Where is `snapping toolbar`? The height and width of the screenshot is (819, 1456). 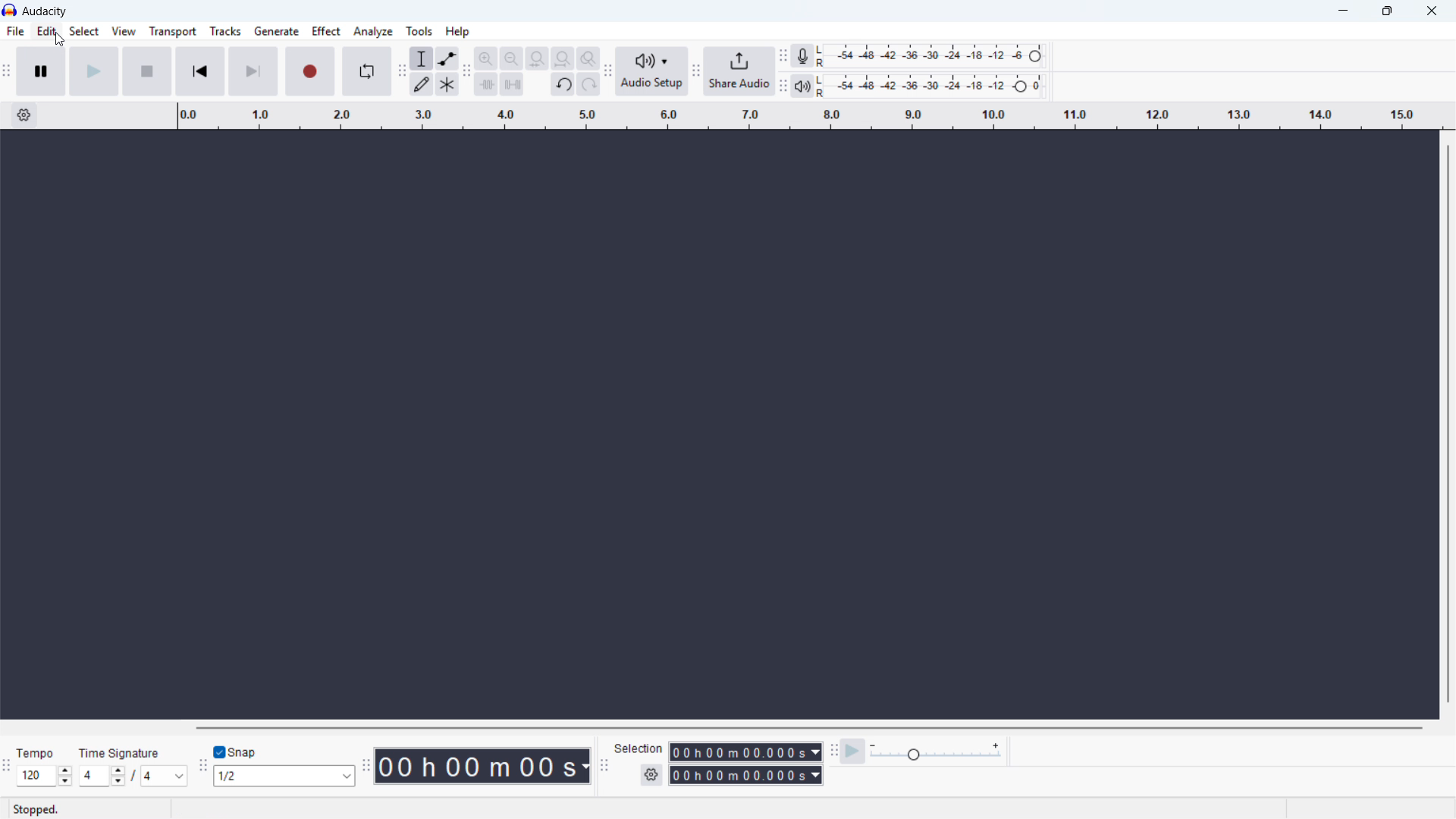
snapping toolbar is located at coordinates (202, 767).